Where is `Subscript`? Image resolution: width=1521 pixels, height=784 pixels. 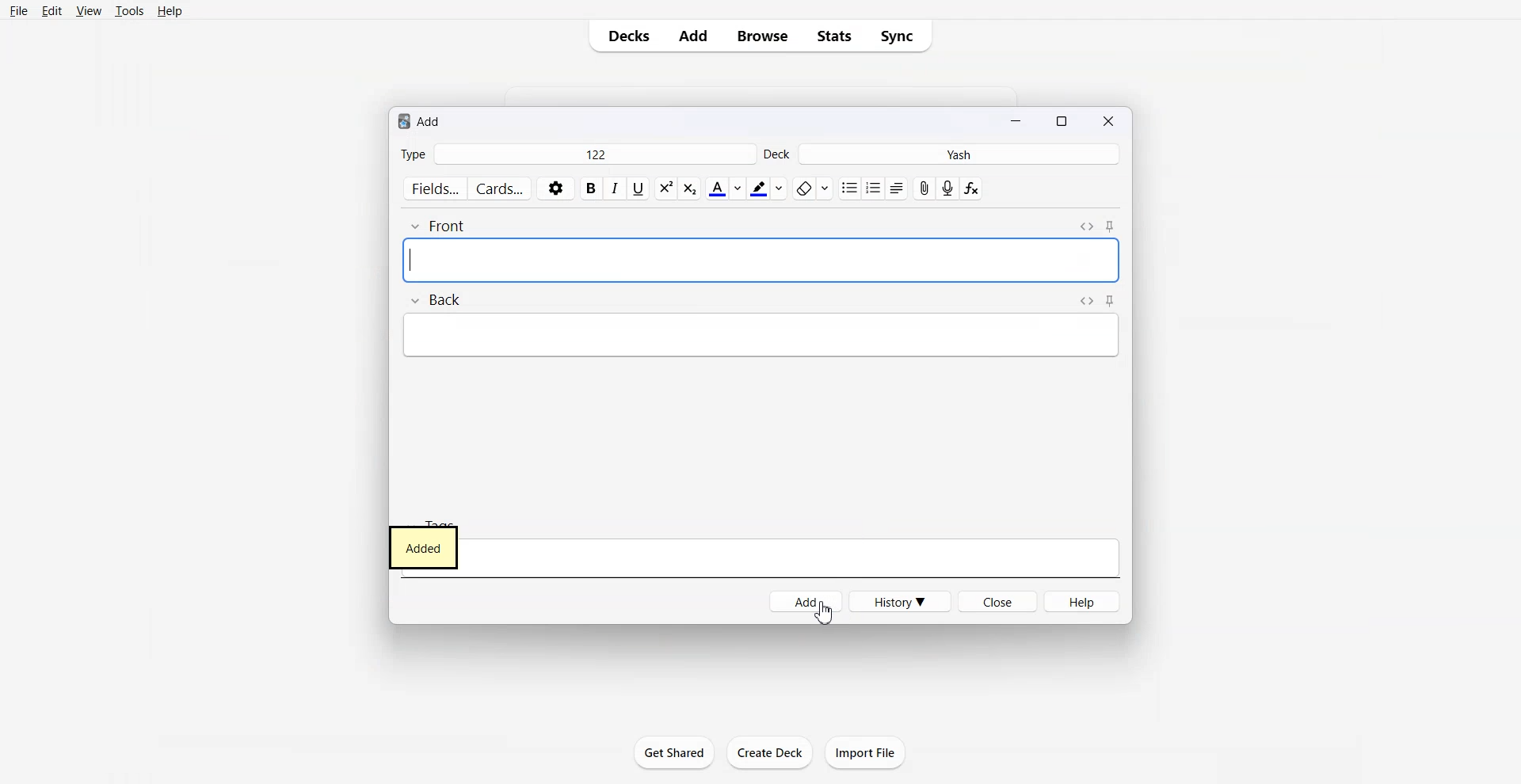 Subscript is located at coordinates (665, 188).